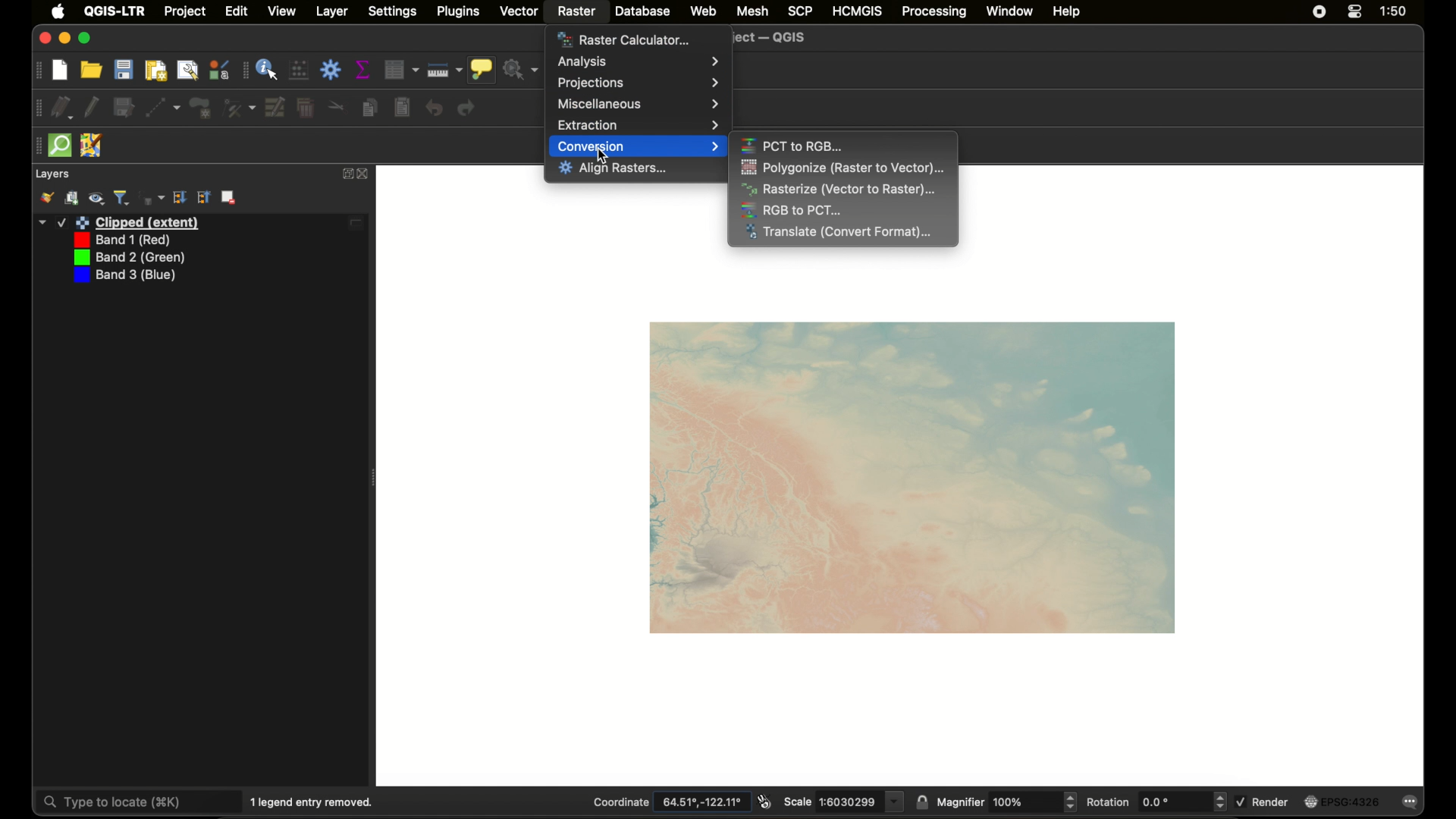  What do you see at coordinates (64, 39) in the screenshot?
I see `minimize` at bounding box center [64, 39].